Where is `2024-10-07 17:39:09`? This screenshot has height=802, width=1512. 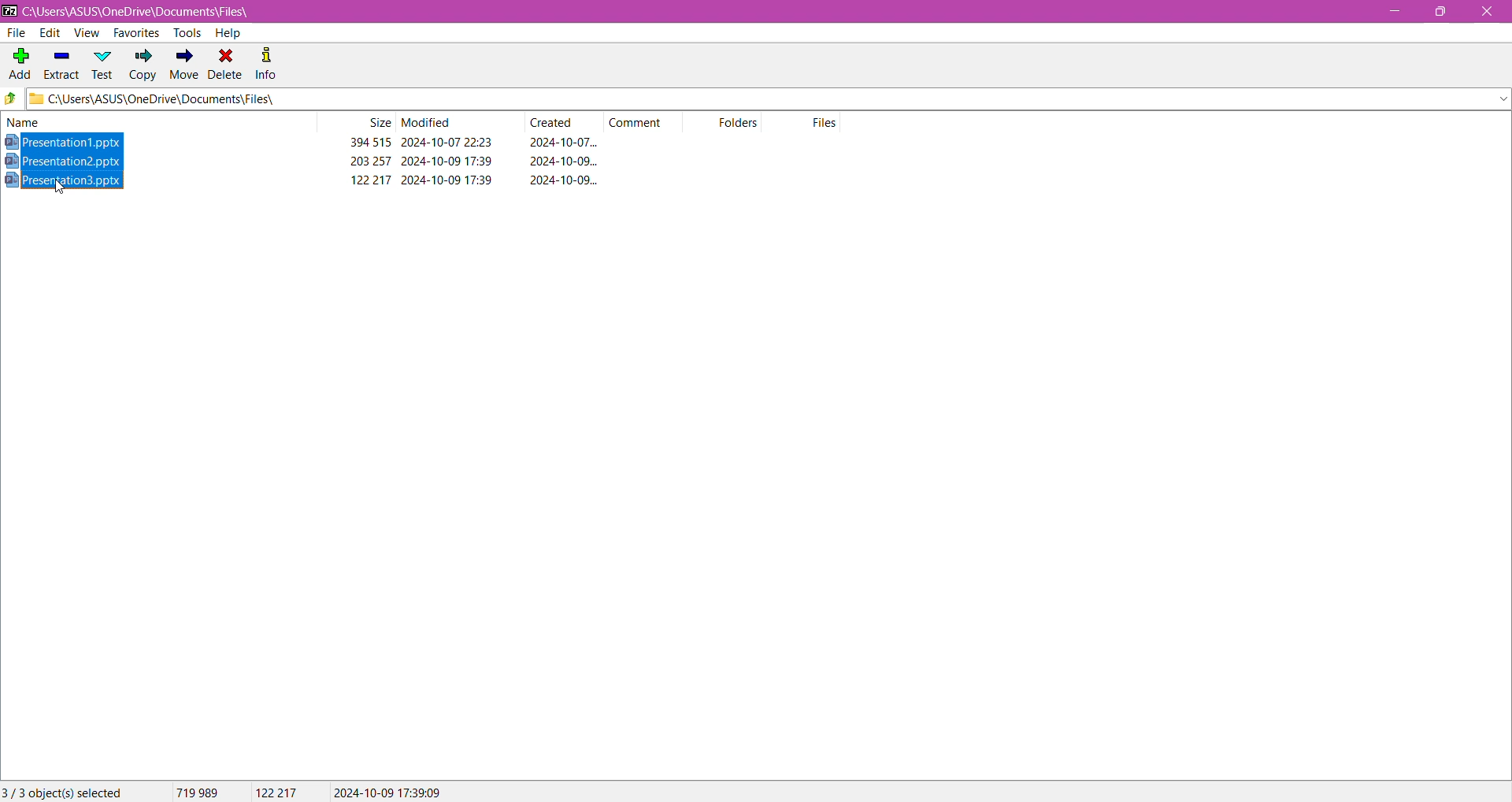 2024-10-07 17:39:09 is located at coordinates (387, 791).